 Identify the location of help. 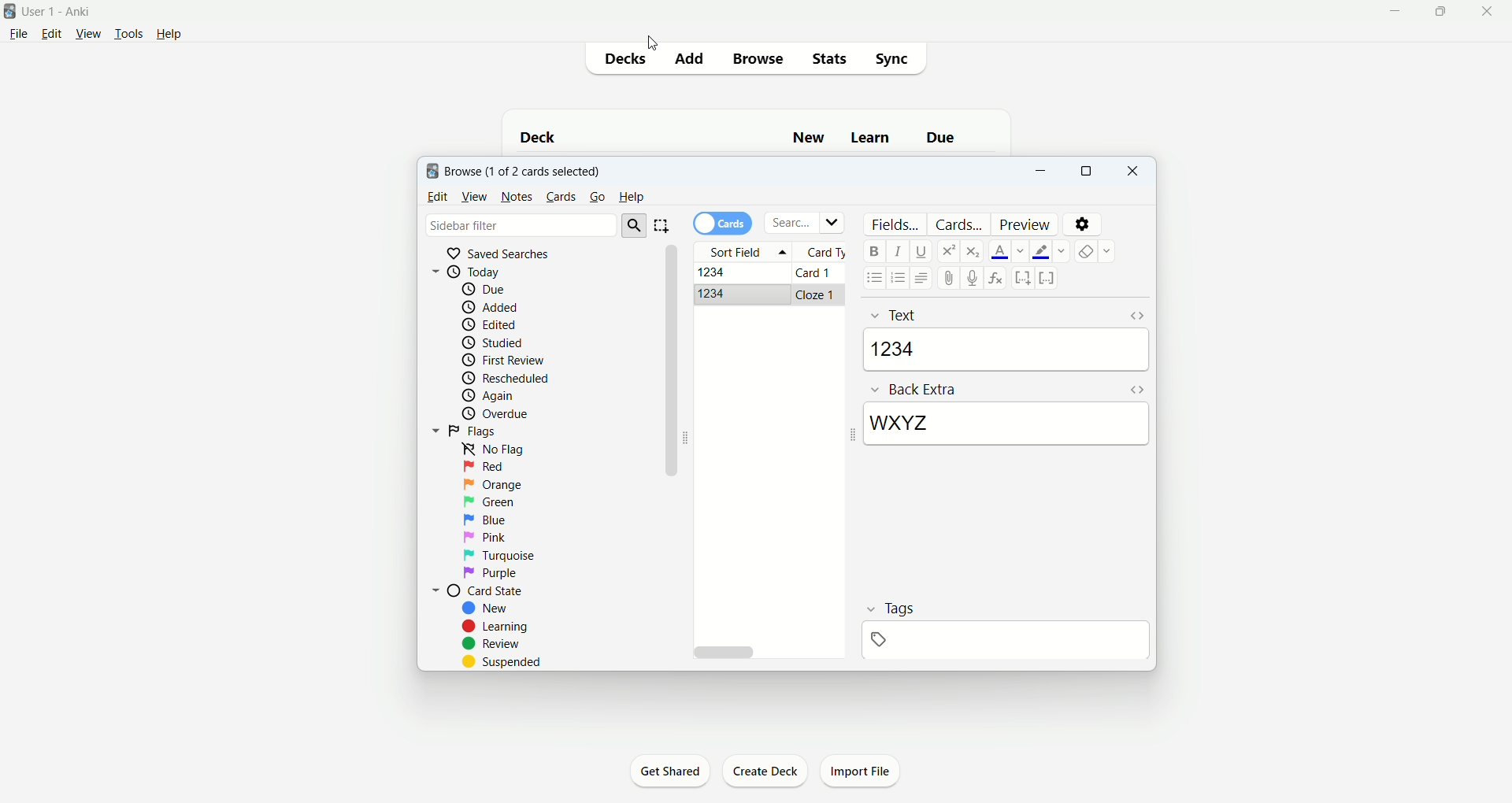
(169, 35).